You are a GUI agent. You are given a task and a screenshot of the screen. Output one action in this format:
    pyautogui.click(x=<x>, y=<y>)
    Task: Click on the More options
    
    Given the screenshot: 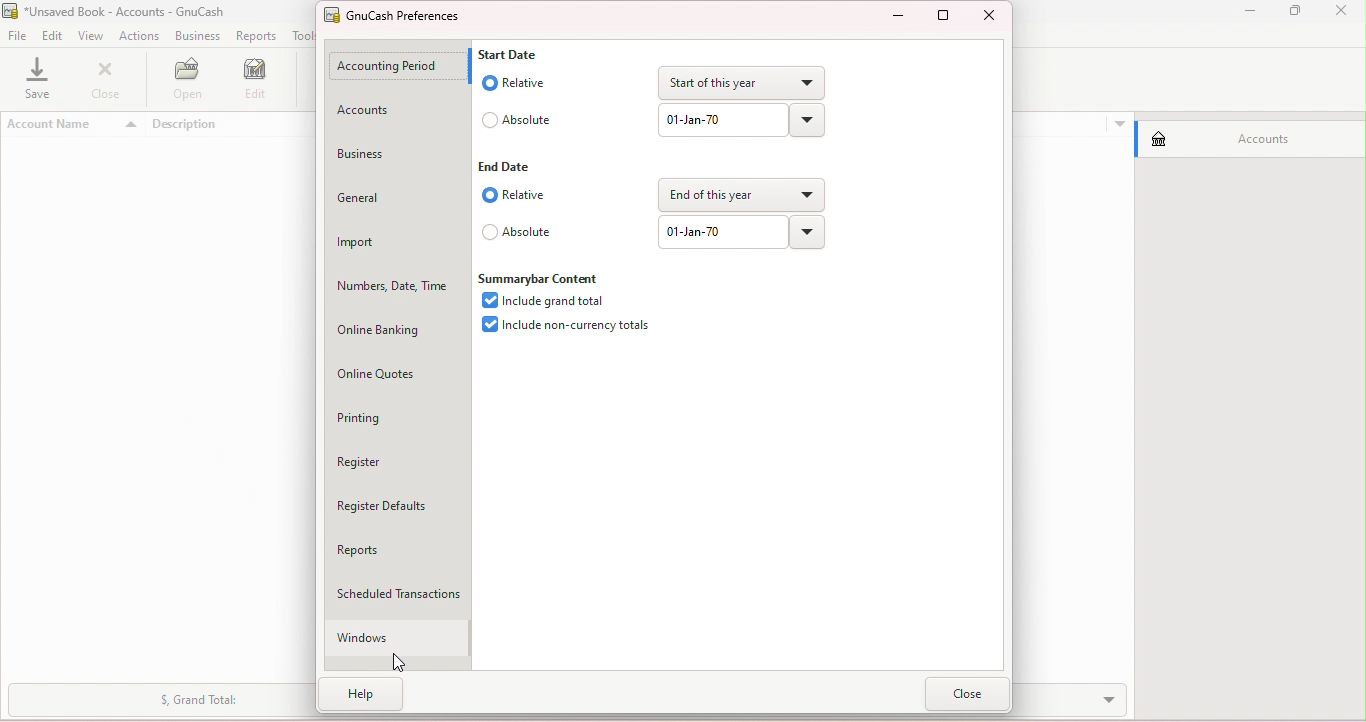 What is the action you would take?
    pyautogui.click(x=1118, y=122)
    